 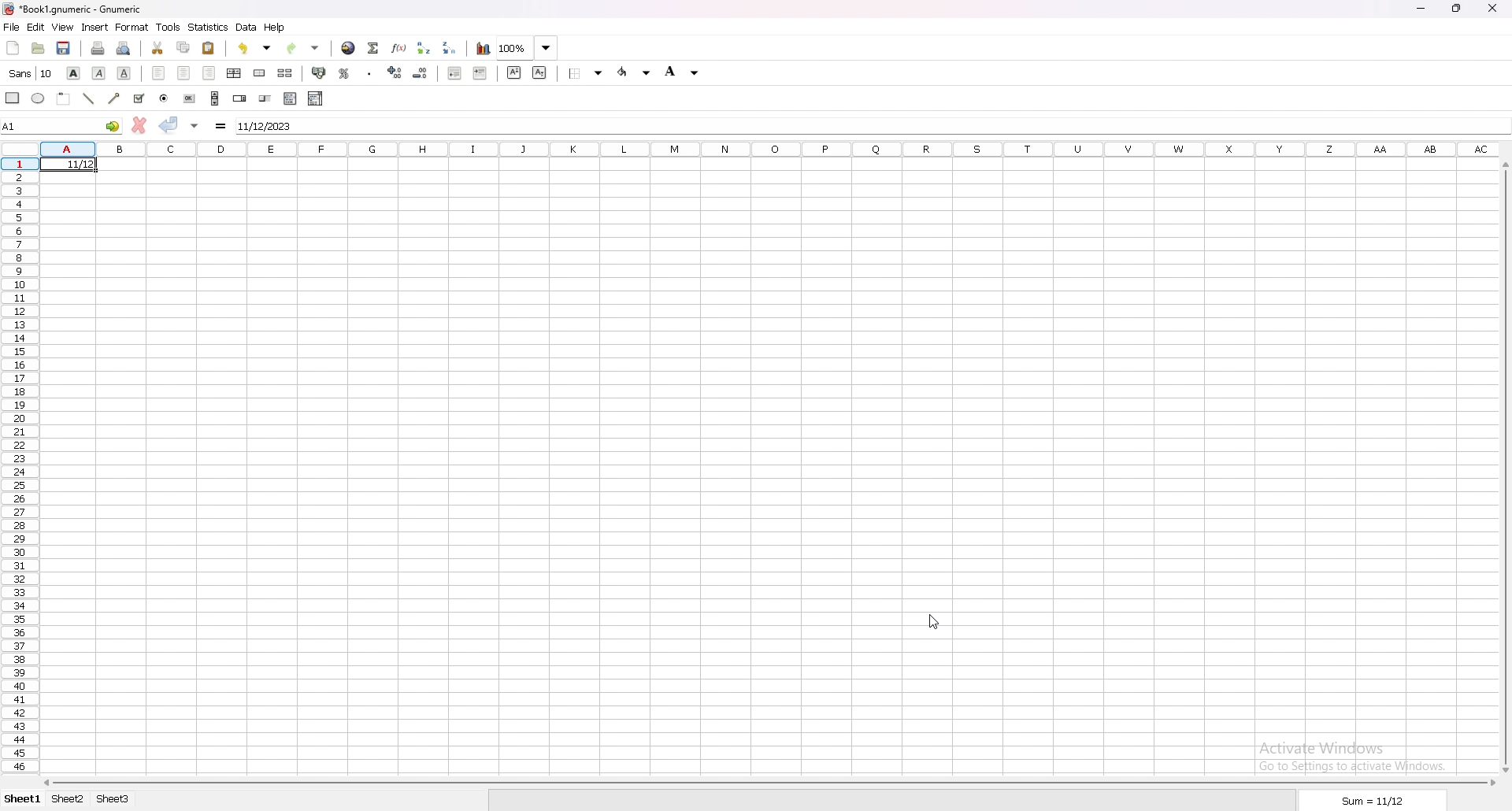 I want to click on combo box, so click(x=317, y=98).